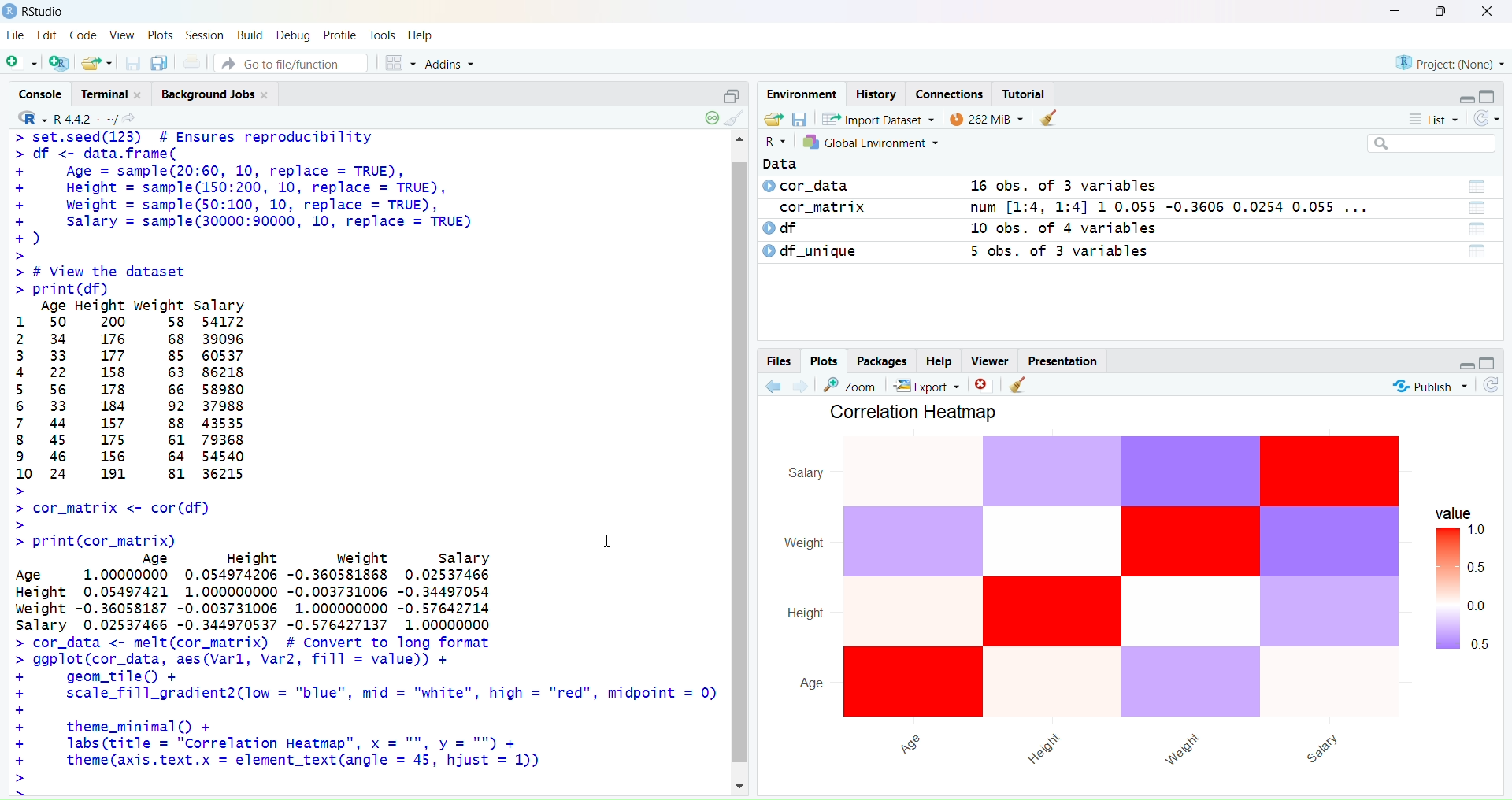  Describe the element at coordinates (1485, 119) in the screenshot. I see `Refresh the list of objects in the environment` at that location.